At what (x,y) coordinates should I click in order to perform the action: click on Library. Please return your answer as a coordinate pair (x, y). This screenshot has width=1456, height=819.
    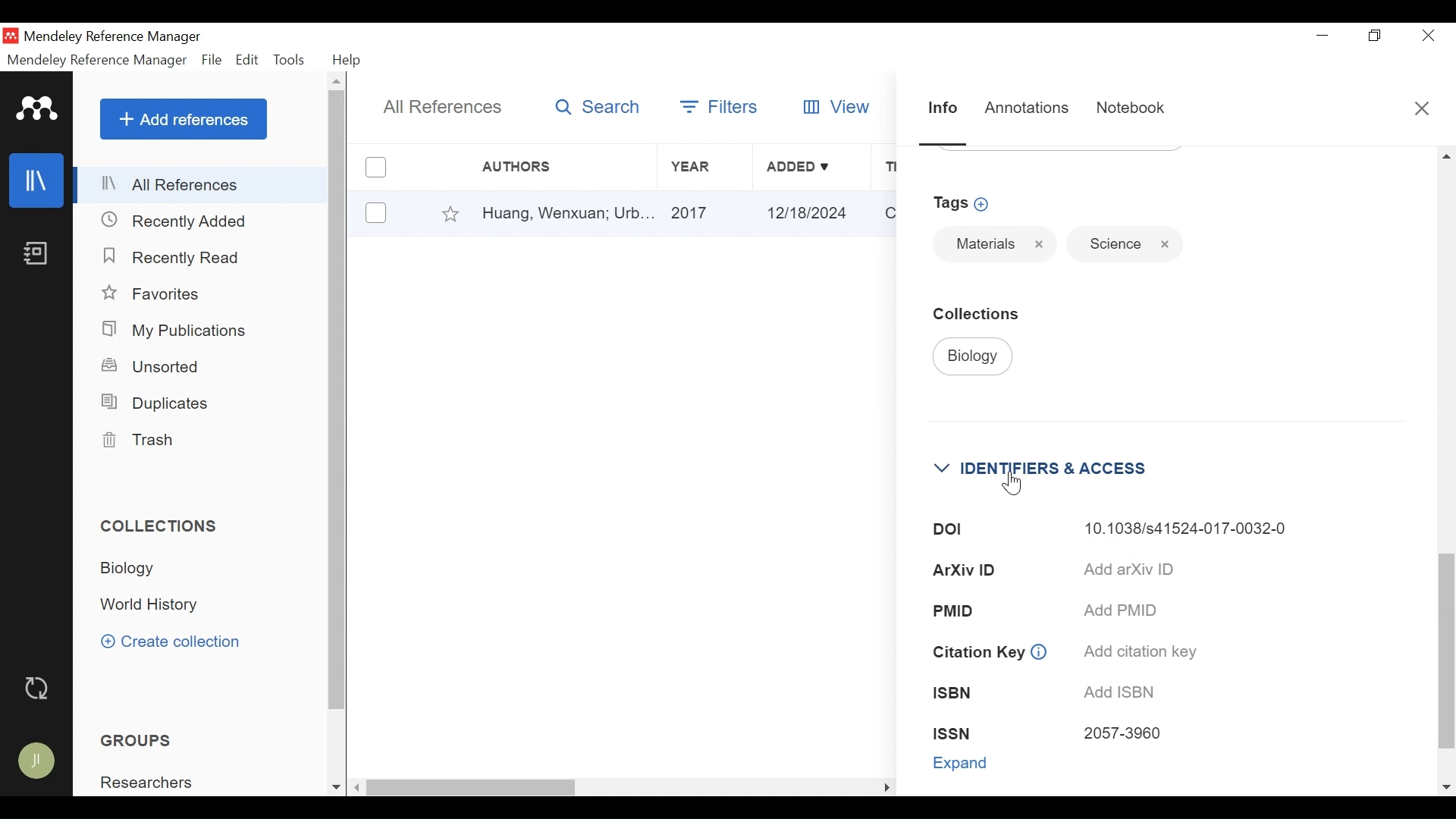
    Looking at the image, I should click on (39, 180).